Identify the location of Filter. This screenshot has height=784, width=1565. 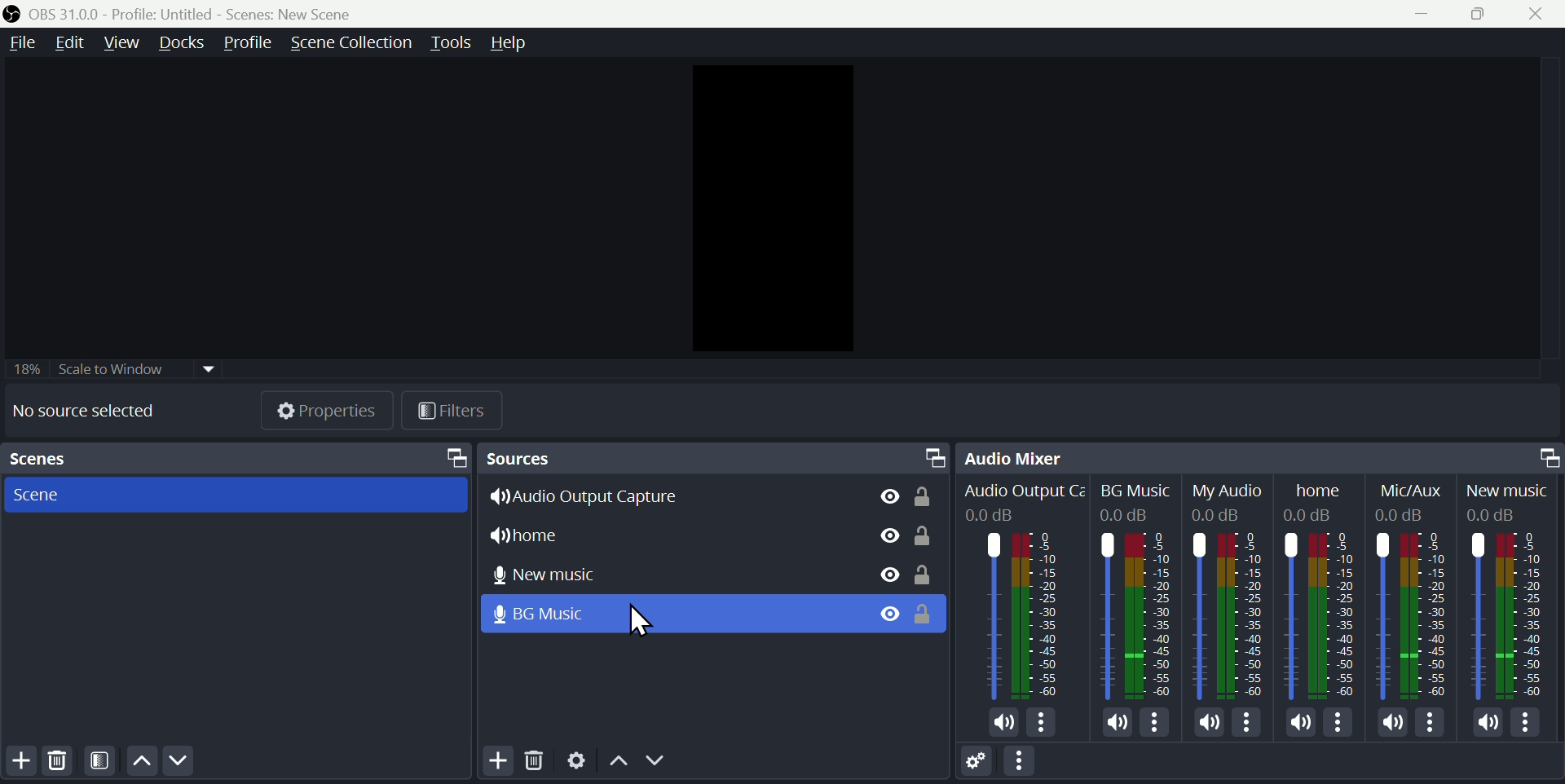
(459, 411).